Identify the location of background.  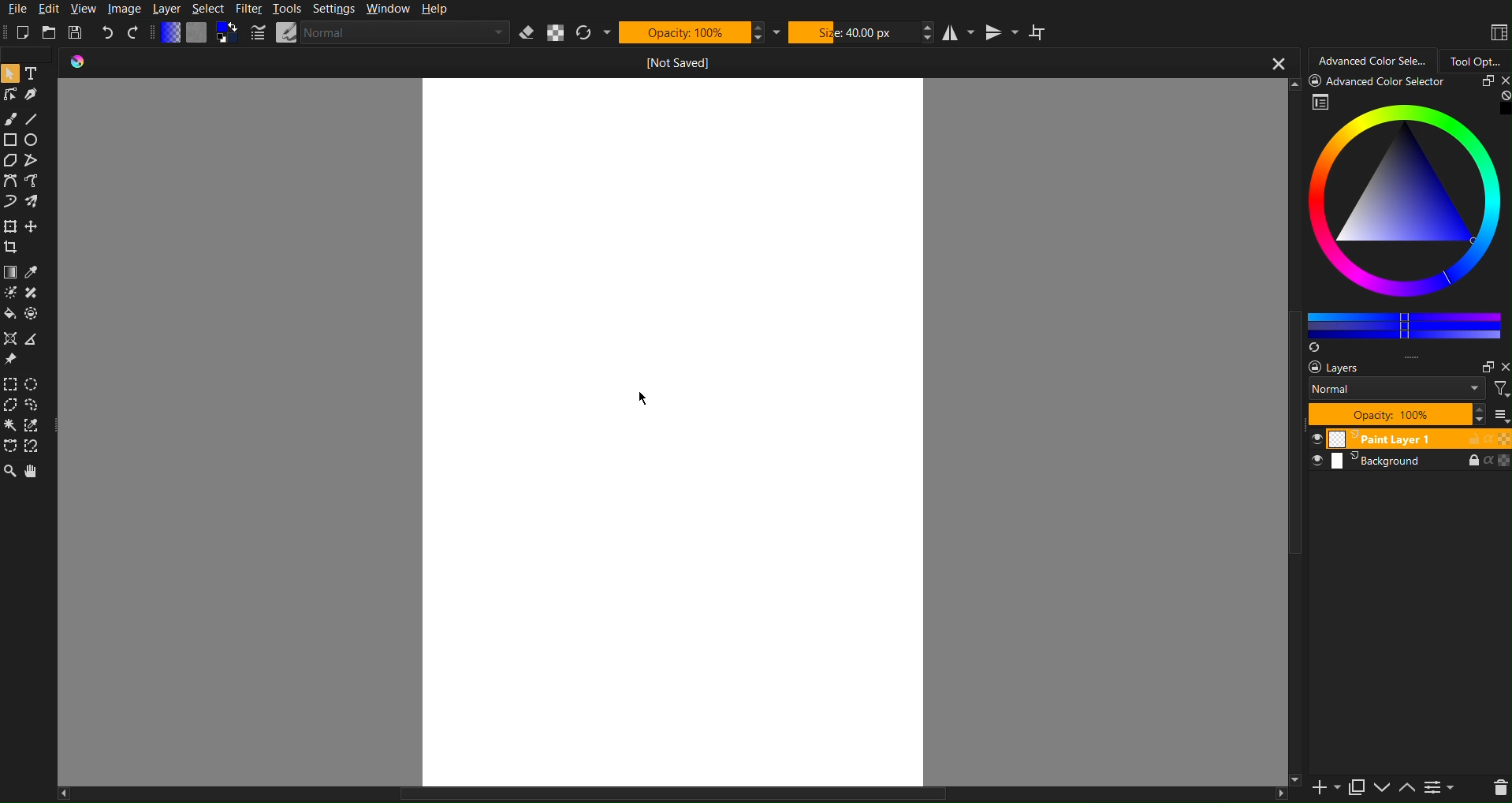
(1366, 462).